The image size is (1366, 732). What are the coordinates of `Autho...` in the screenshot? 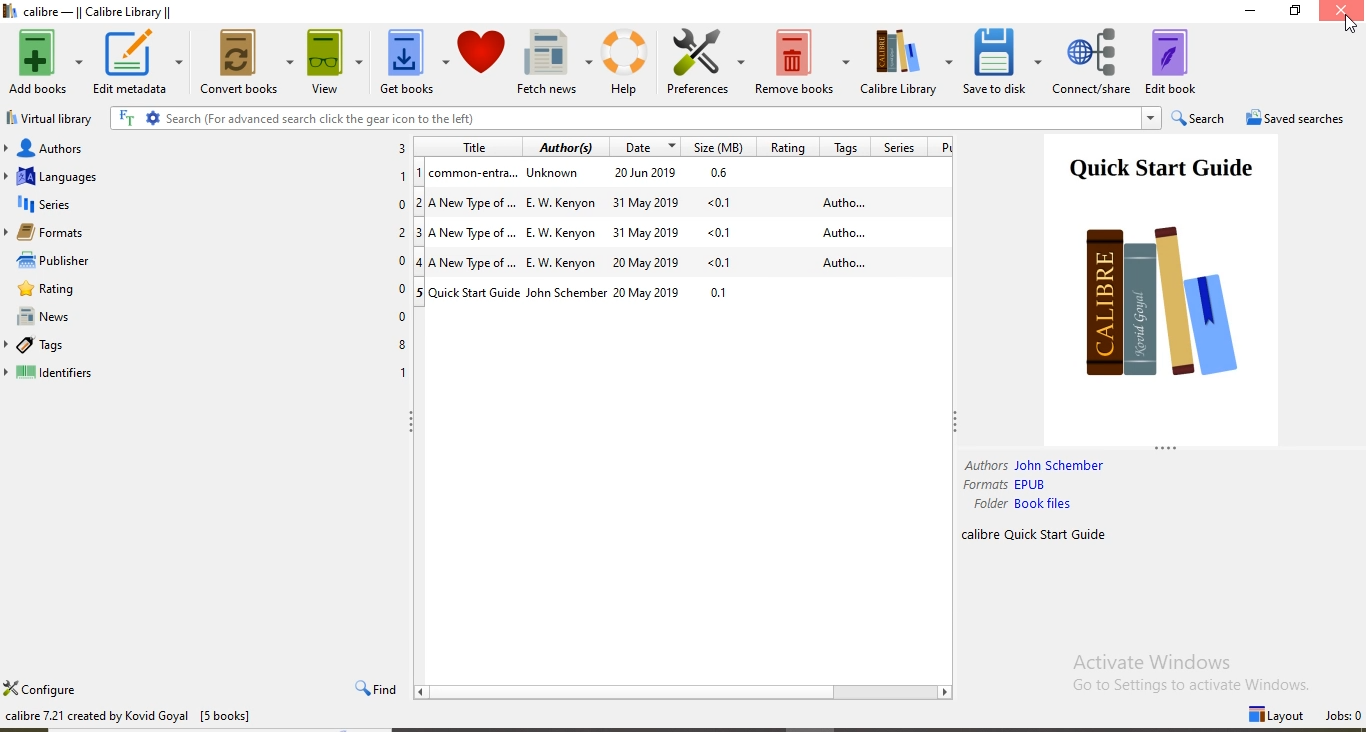 It's located at (841, 230).